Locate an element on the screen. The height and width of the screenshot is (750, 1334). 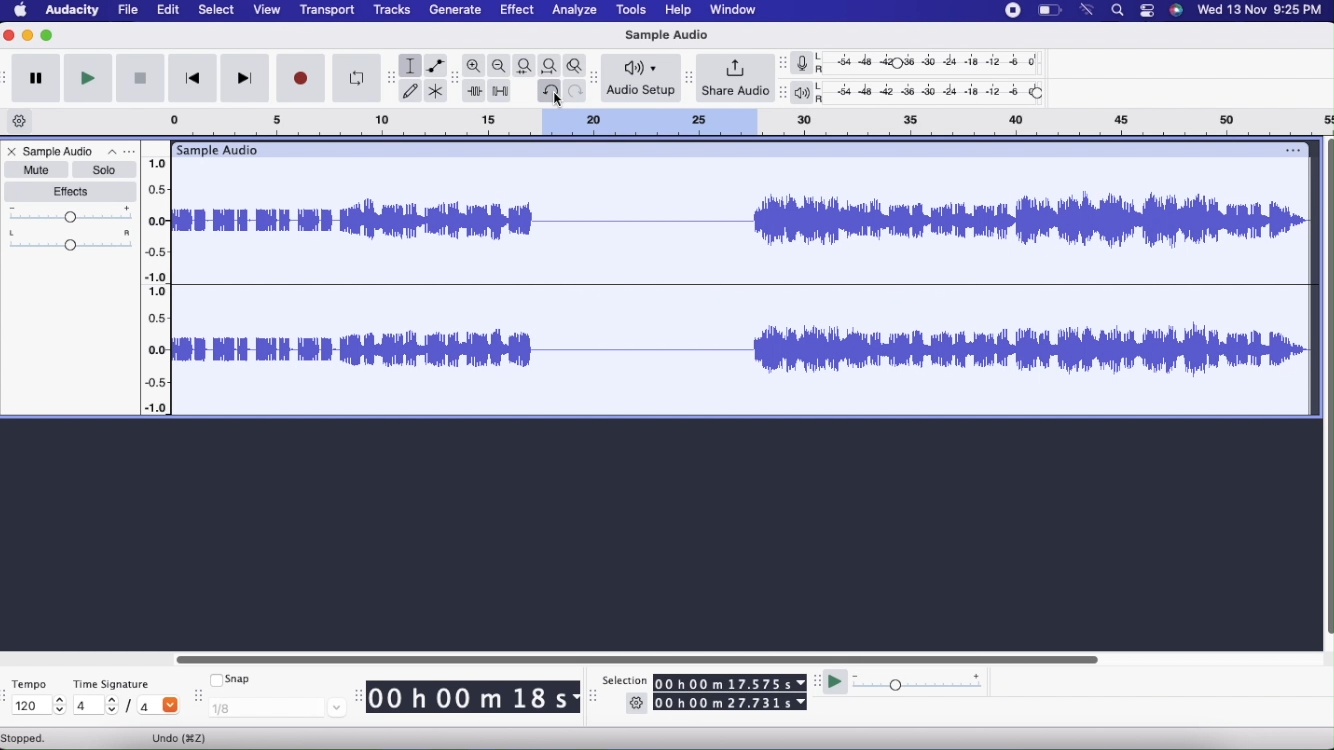
Window is located at coordinates (732, 10).